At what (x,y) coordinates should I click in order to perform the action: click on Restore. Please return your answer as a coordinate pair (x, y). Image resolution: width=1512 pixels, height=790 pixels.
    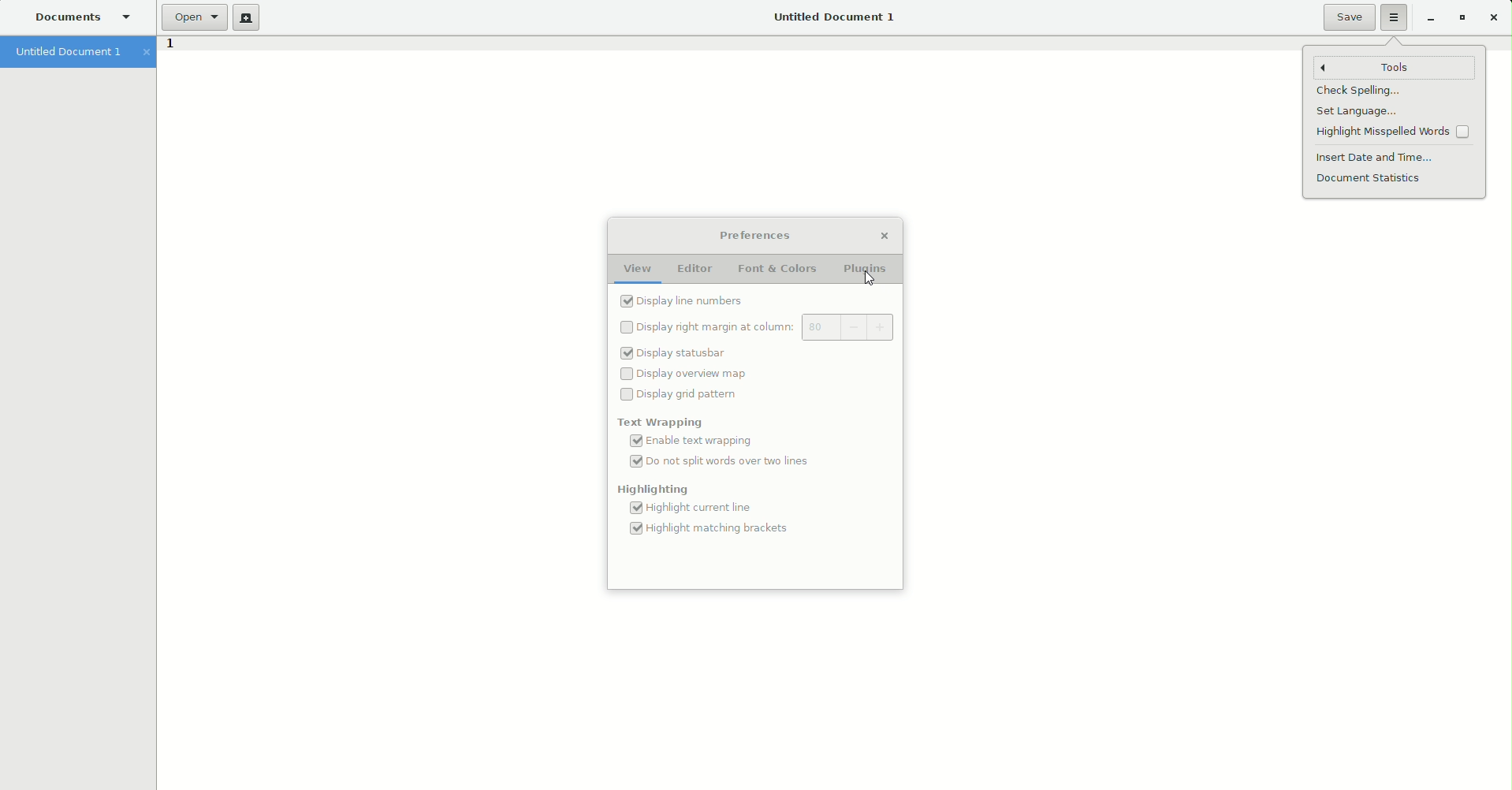
    Looking at the image, I should click on (1459, 18).